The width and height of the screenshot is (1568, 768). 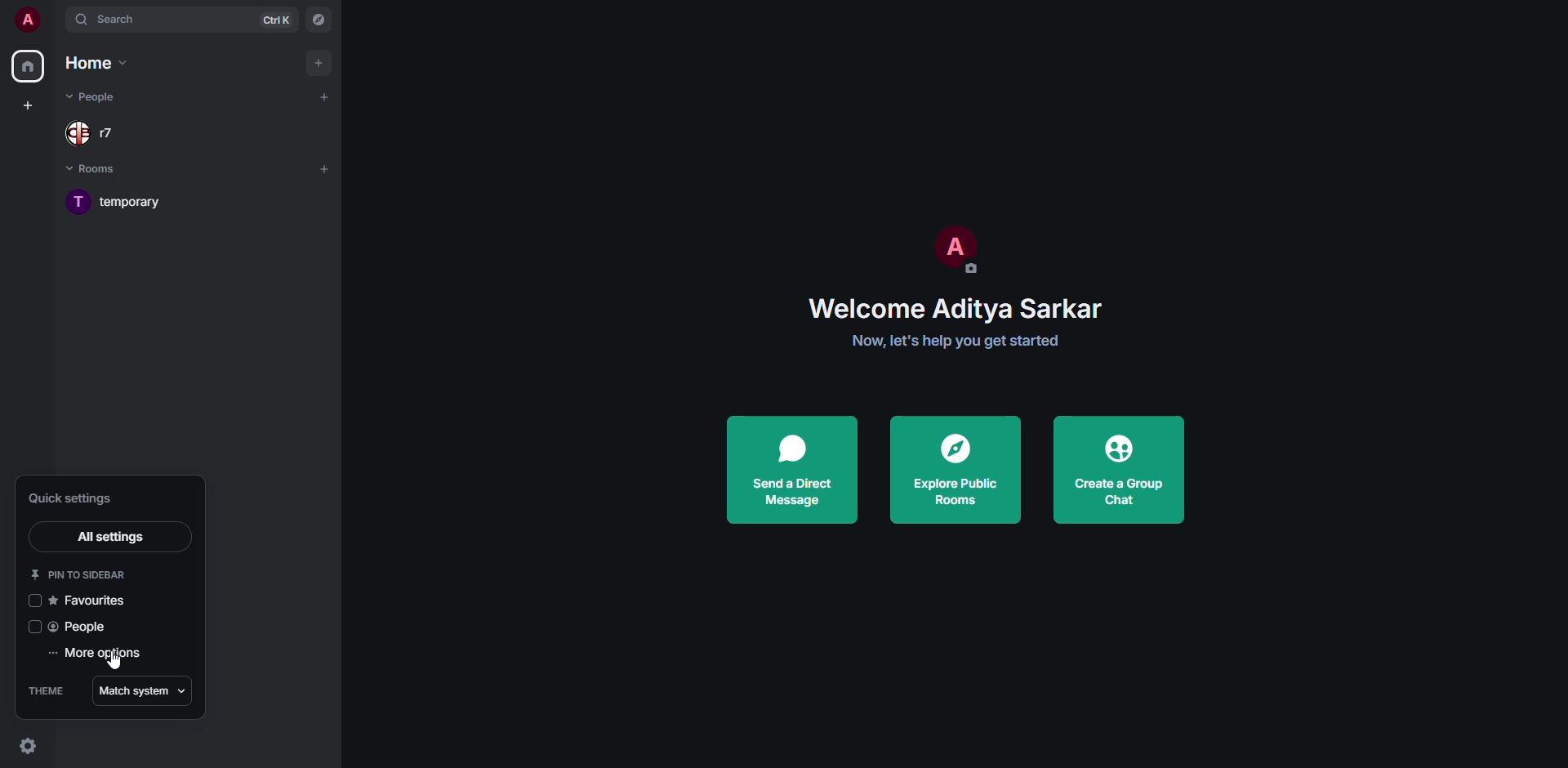 I want to click on people, so click(x=99, y=100).